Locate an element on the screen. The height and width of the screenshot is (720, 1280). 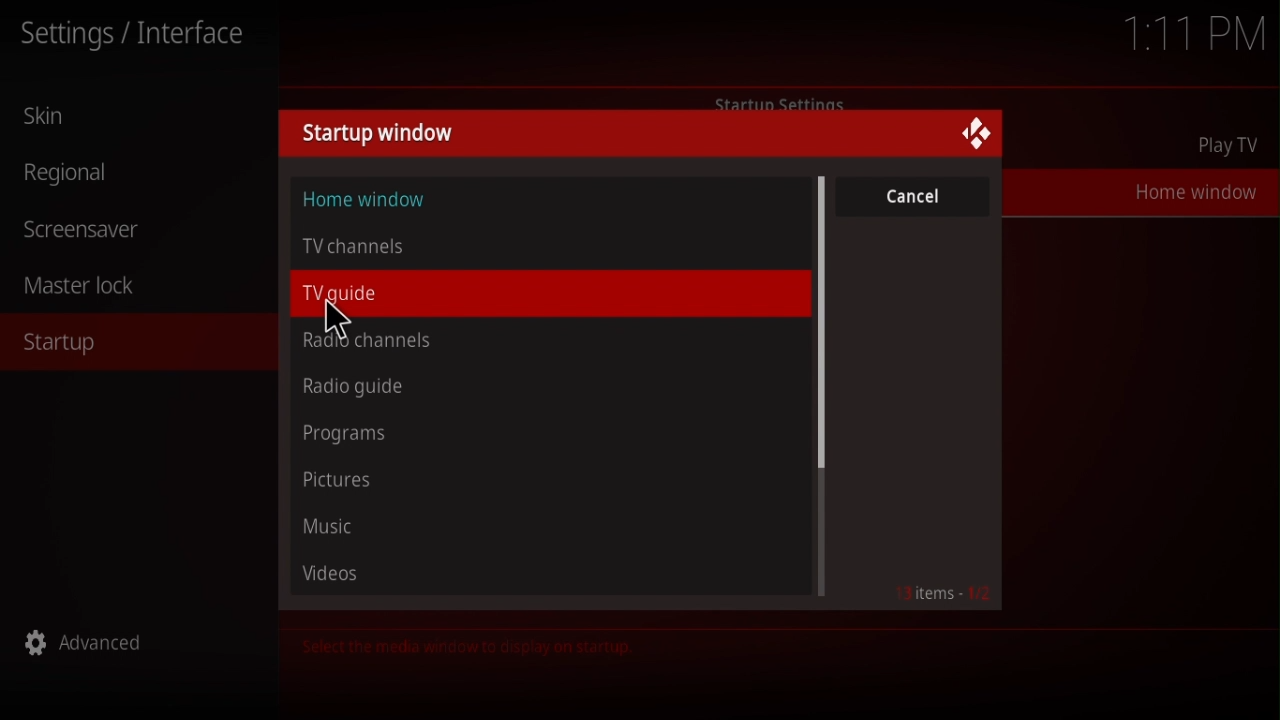
radio channel is located at coordinates (363, 342).